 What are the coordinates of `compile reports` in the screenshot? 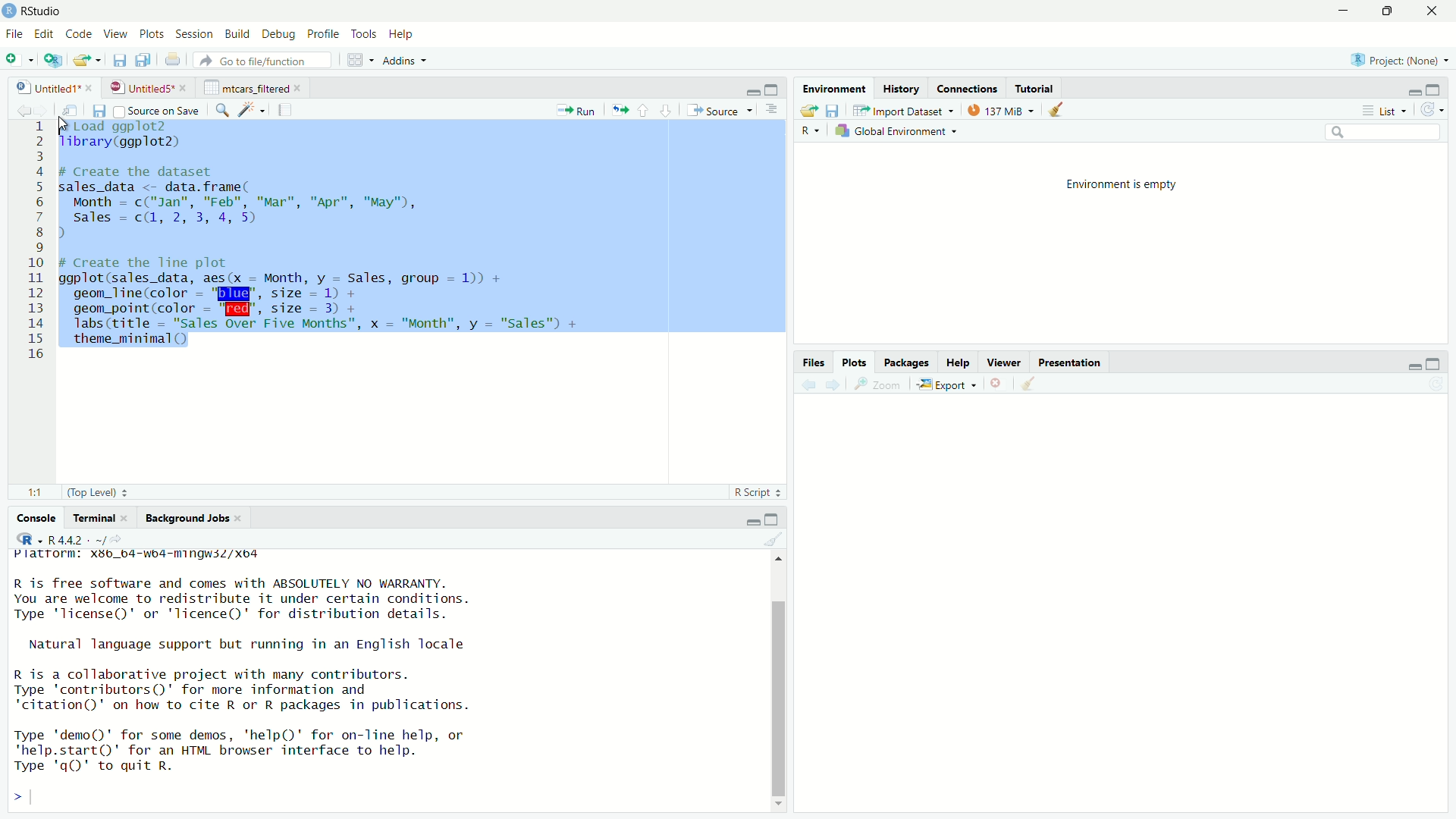 It's located at (285, 109).